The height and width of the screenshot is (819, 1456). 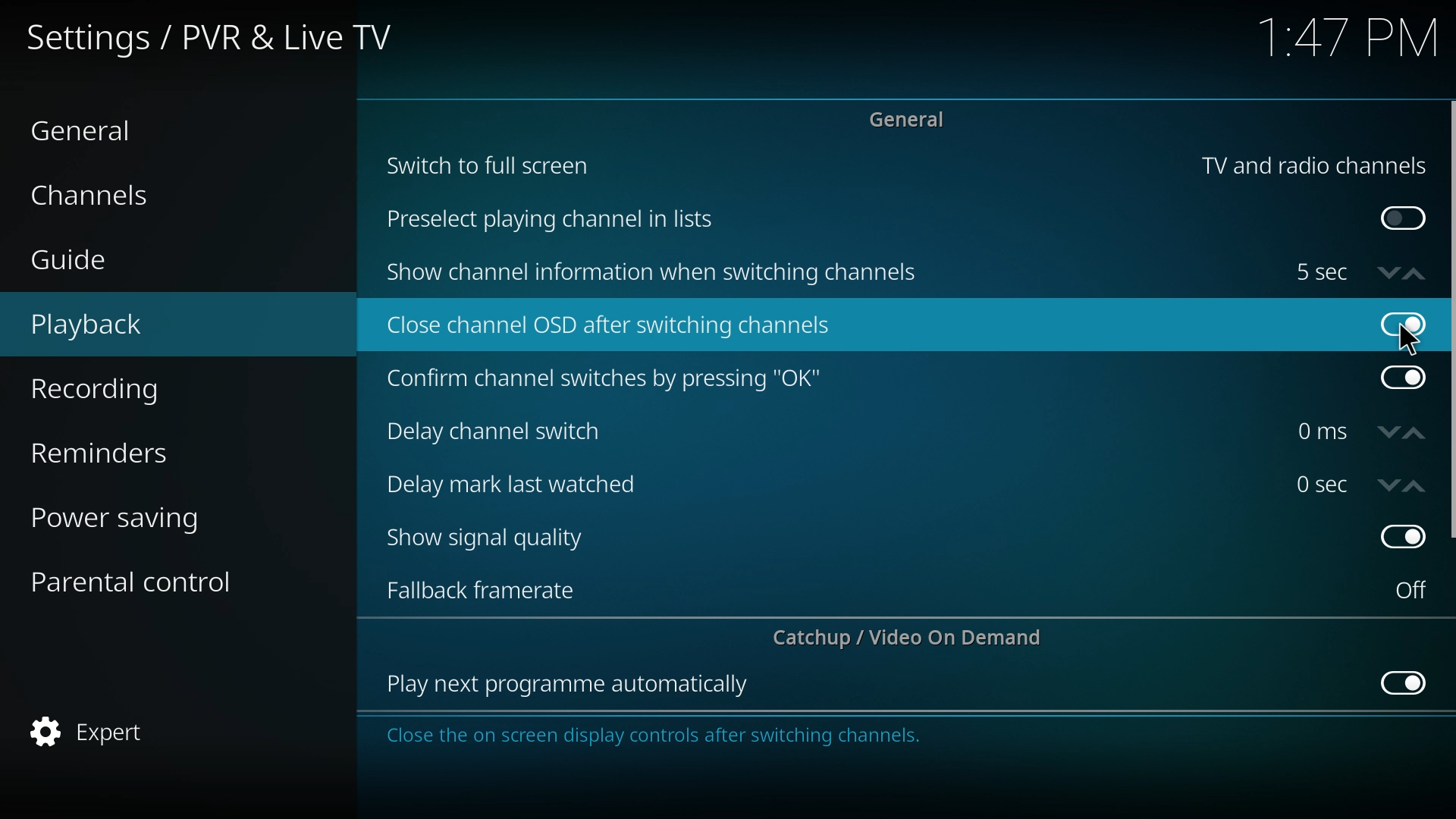 I want to click on time, so click(x=1322, y=431).